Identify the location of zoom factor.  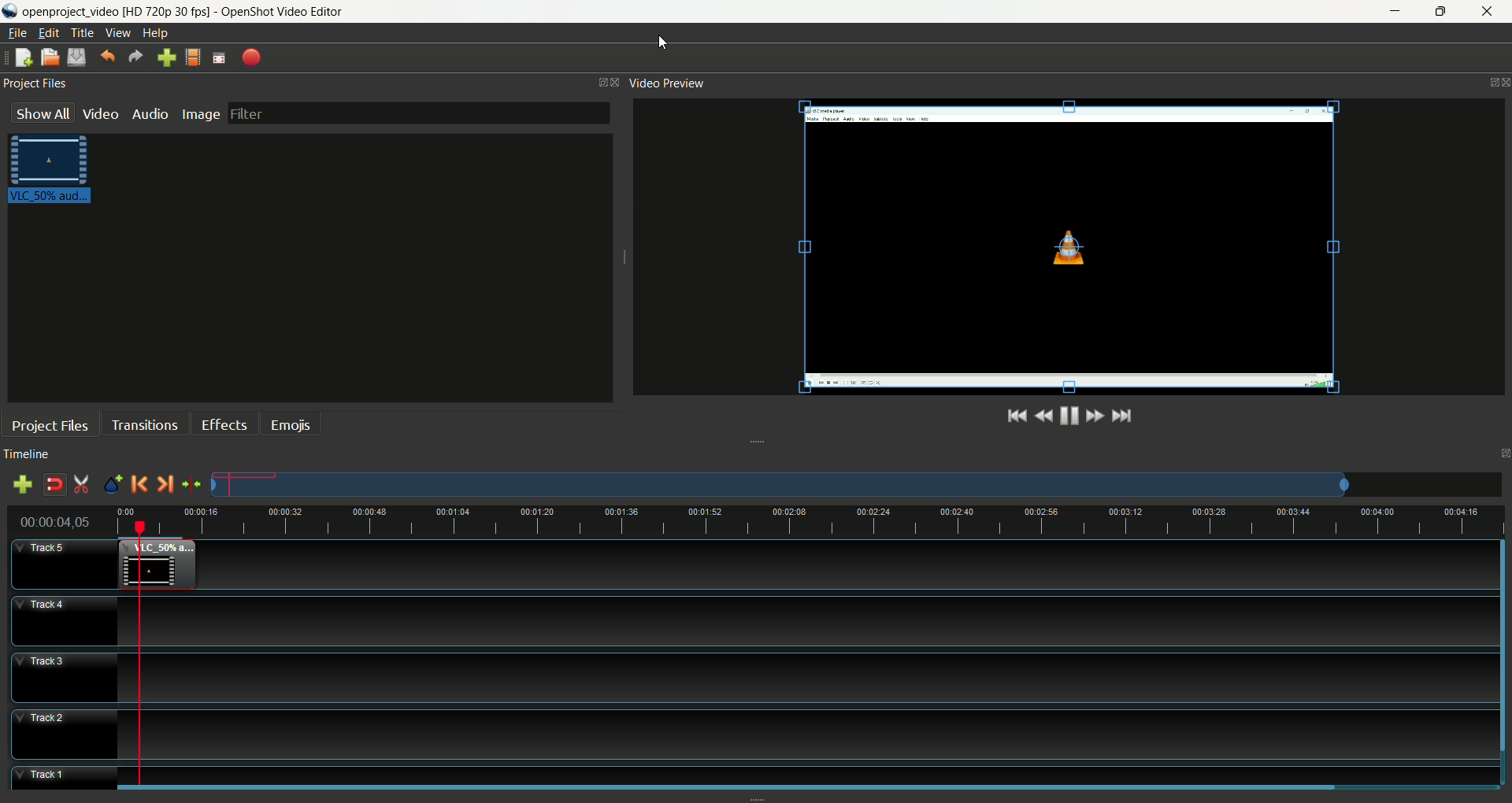
(821, 521).